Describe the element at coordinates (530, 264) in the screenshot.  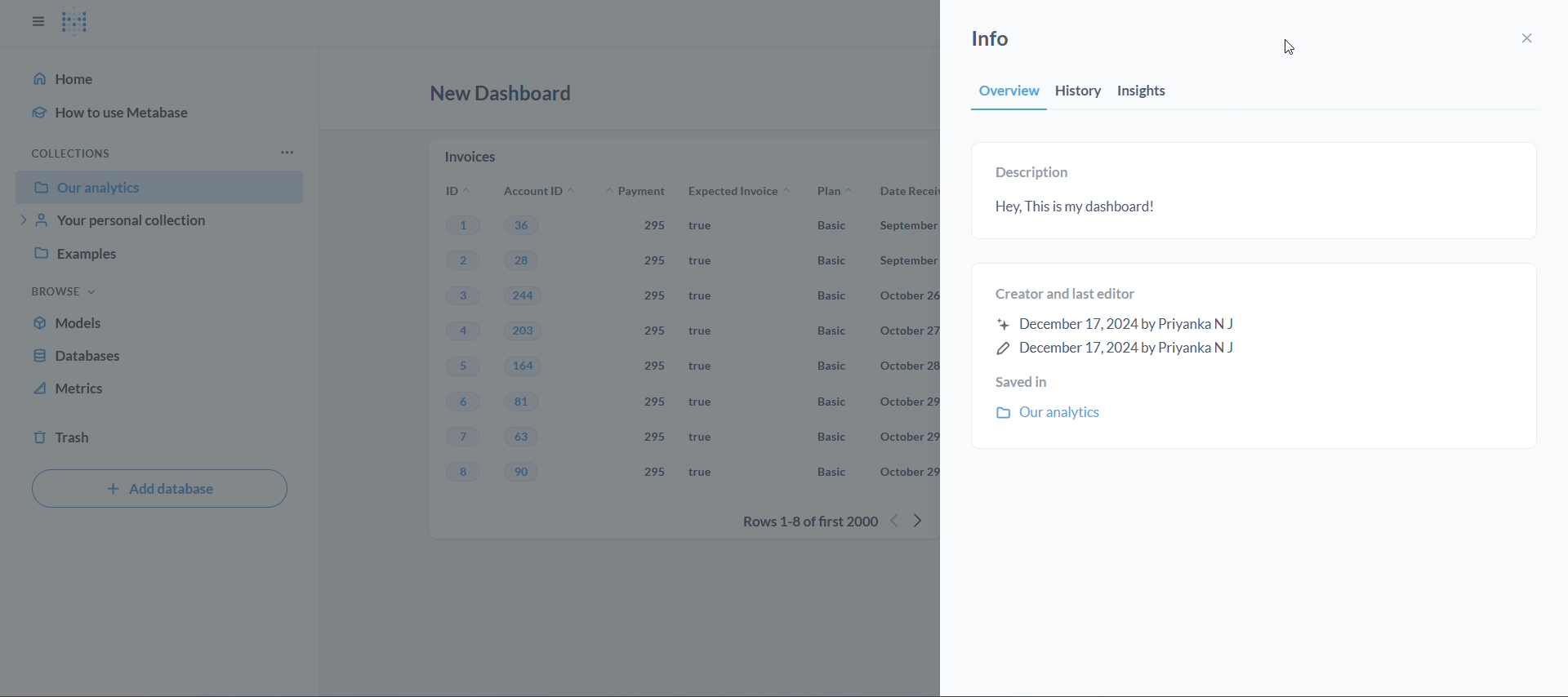
I see `28` at that location.